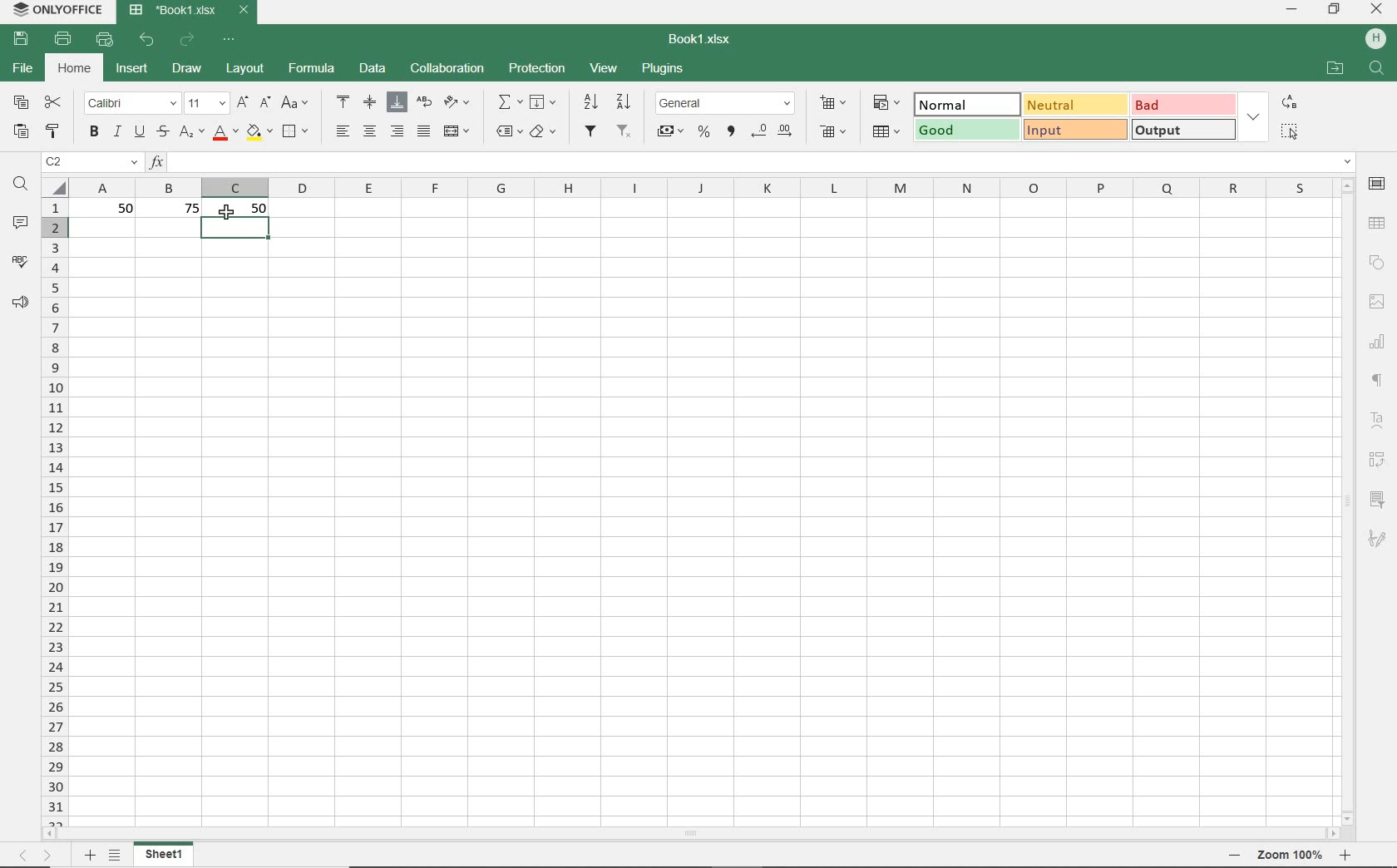  Describe the element at coordinates (206, 104) in the screenshot. I see `font size` at that location.